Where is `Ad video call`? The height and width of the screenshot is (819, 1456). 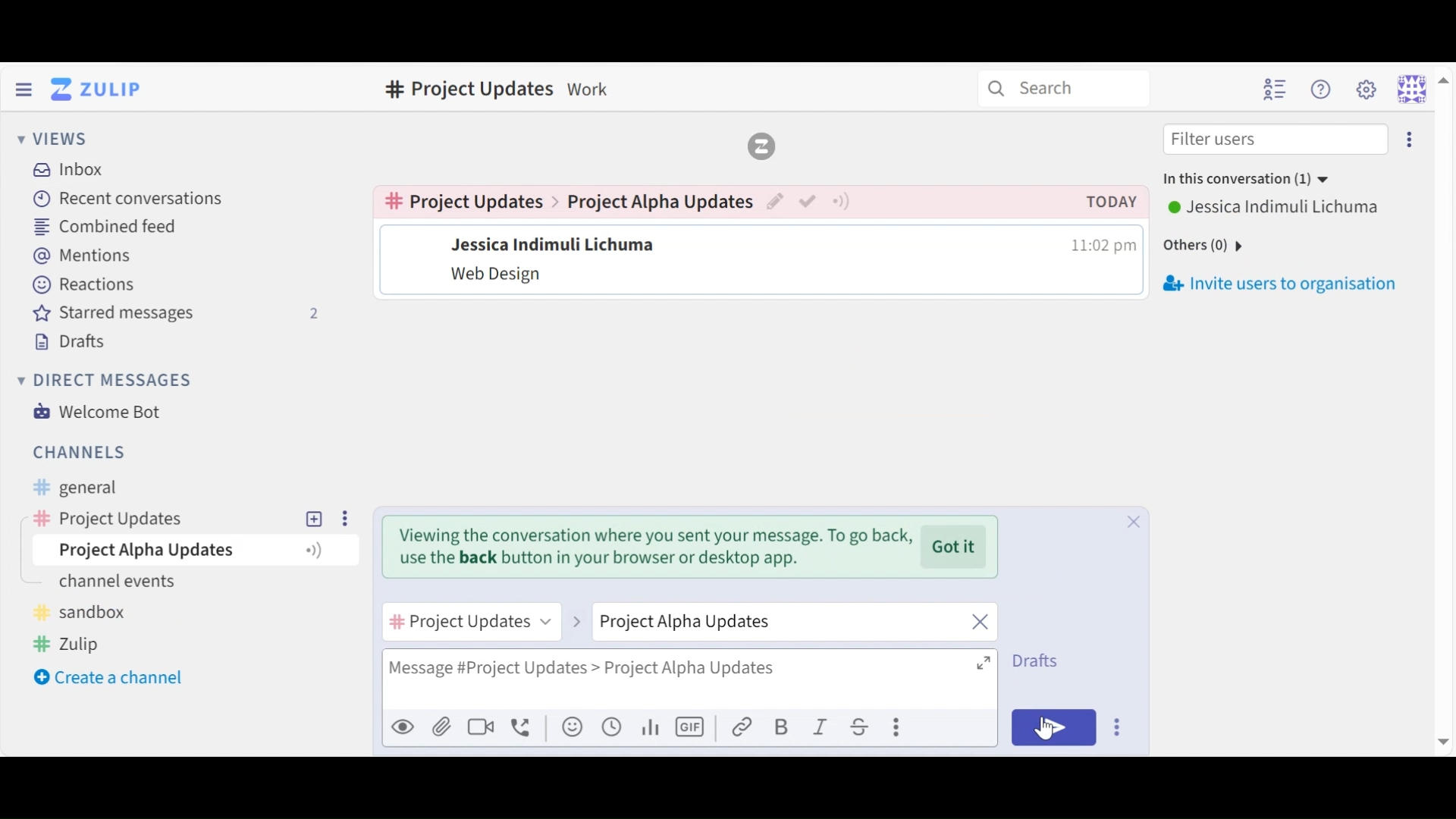 Ad video call is located at coordinates (480, 726).